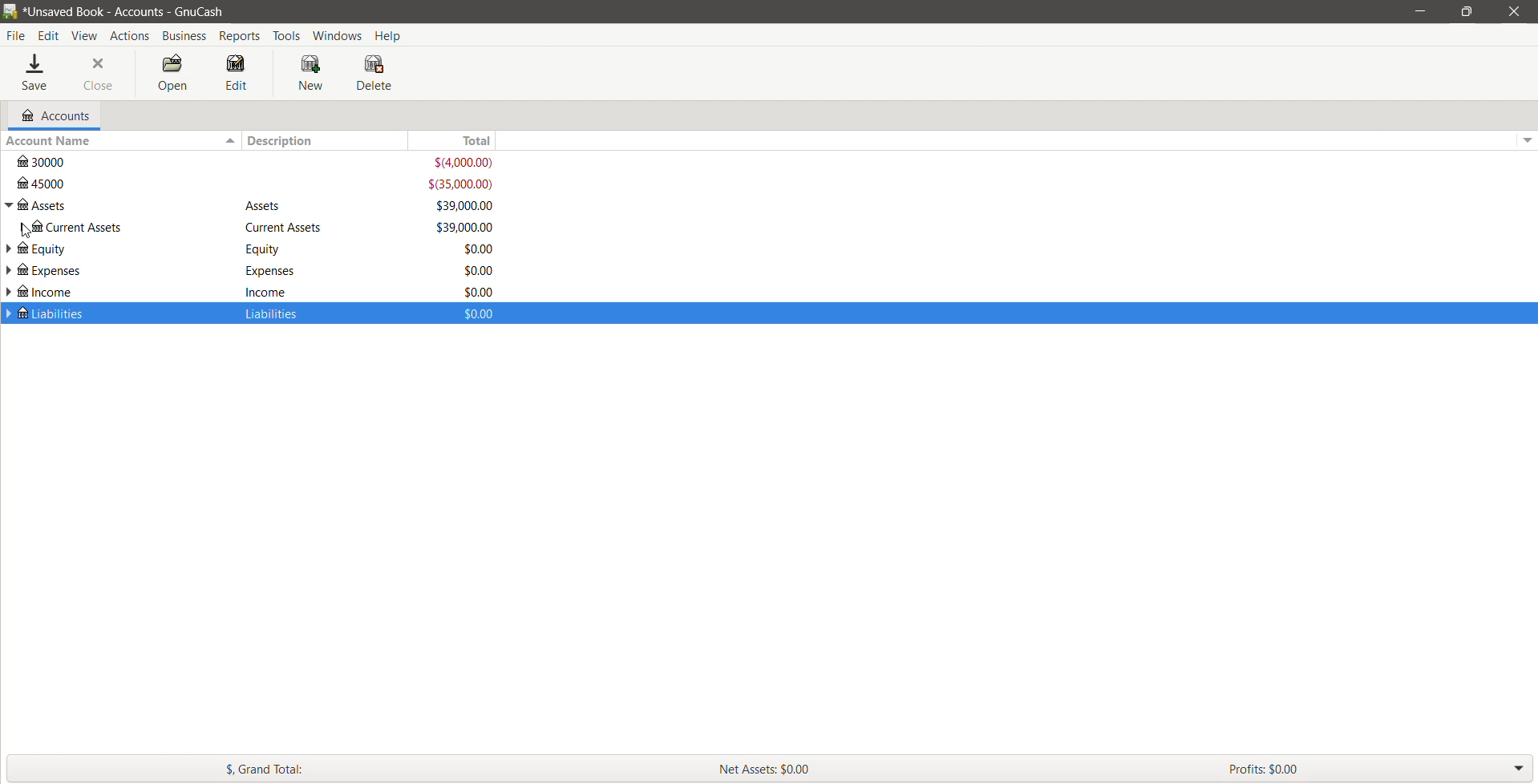 Image resolution: width=1538 pixels, height=784 pixels. What do you see at coordinates (374, 71) in the screenshot?
I see `Delete` at bounding box center [374, 71].